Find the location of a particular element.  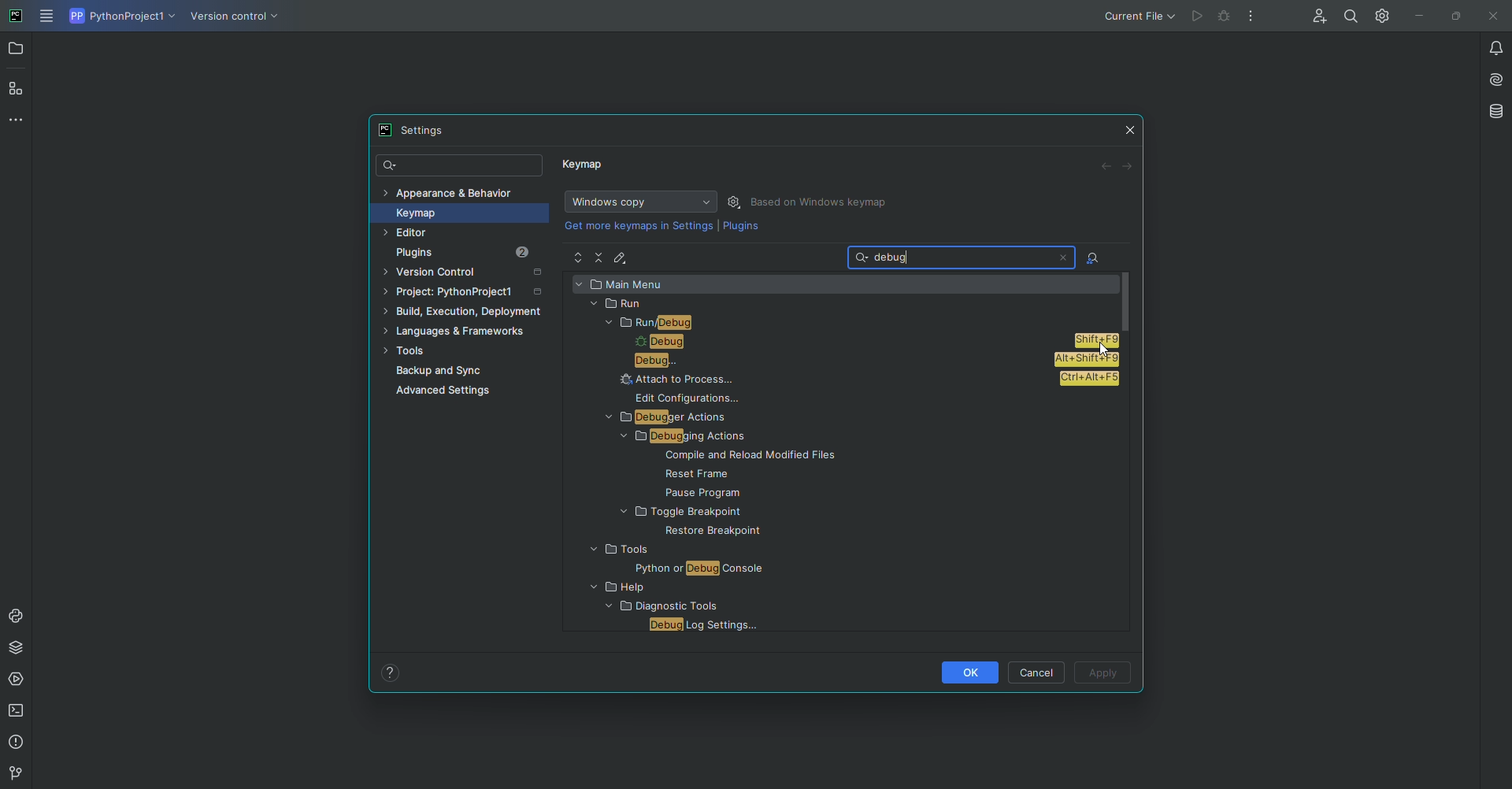

Forward is located at coordinates (1128, 166).